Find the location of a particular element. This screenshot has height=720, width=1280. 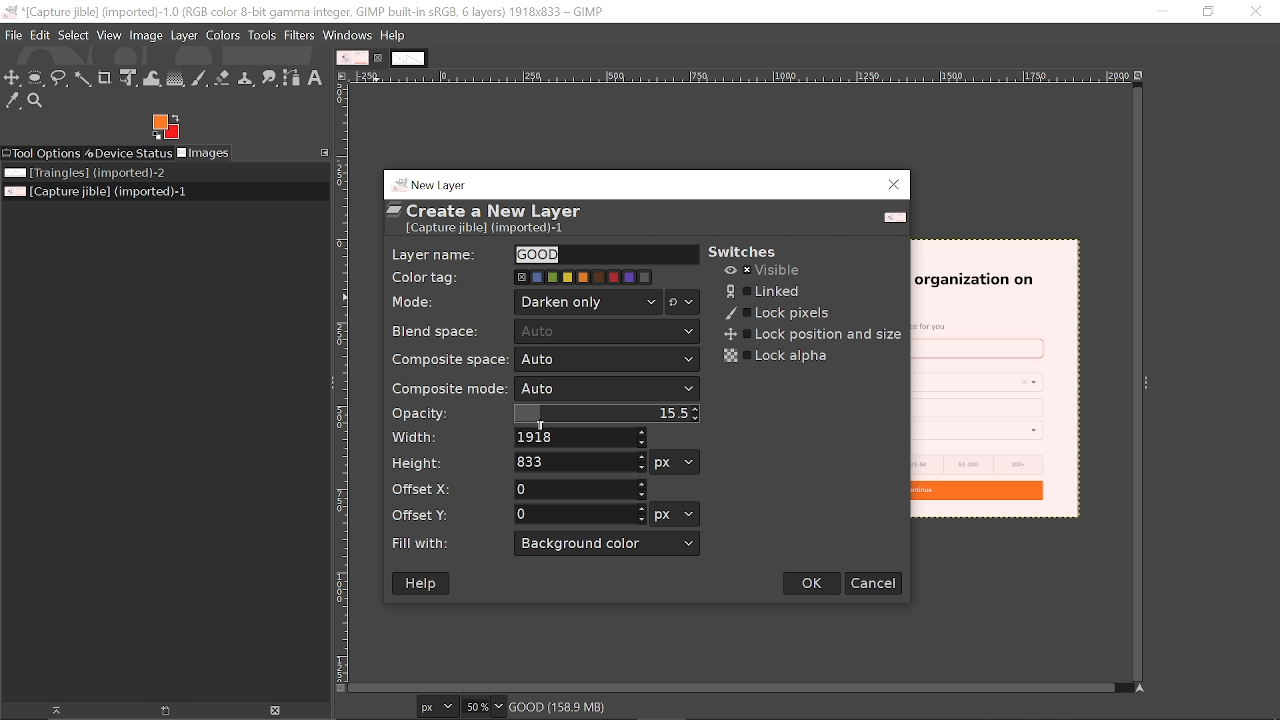

Text tool is located at coordinates (316, 77).